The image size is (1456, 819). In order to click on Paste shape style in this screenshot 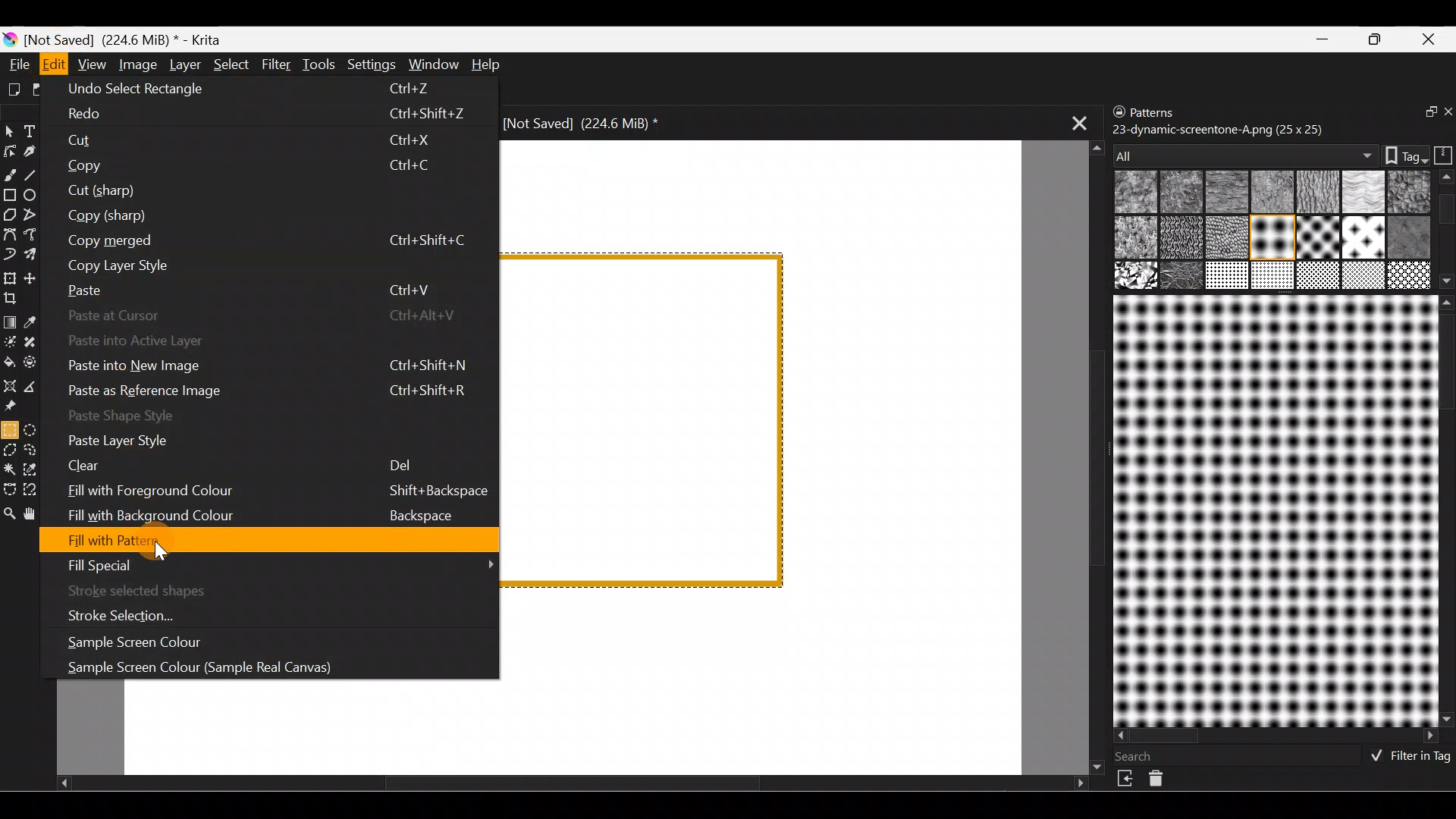, I will do `click(268, 418)`.